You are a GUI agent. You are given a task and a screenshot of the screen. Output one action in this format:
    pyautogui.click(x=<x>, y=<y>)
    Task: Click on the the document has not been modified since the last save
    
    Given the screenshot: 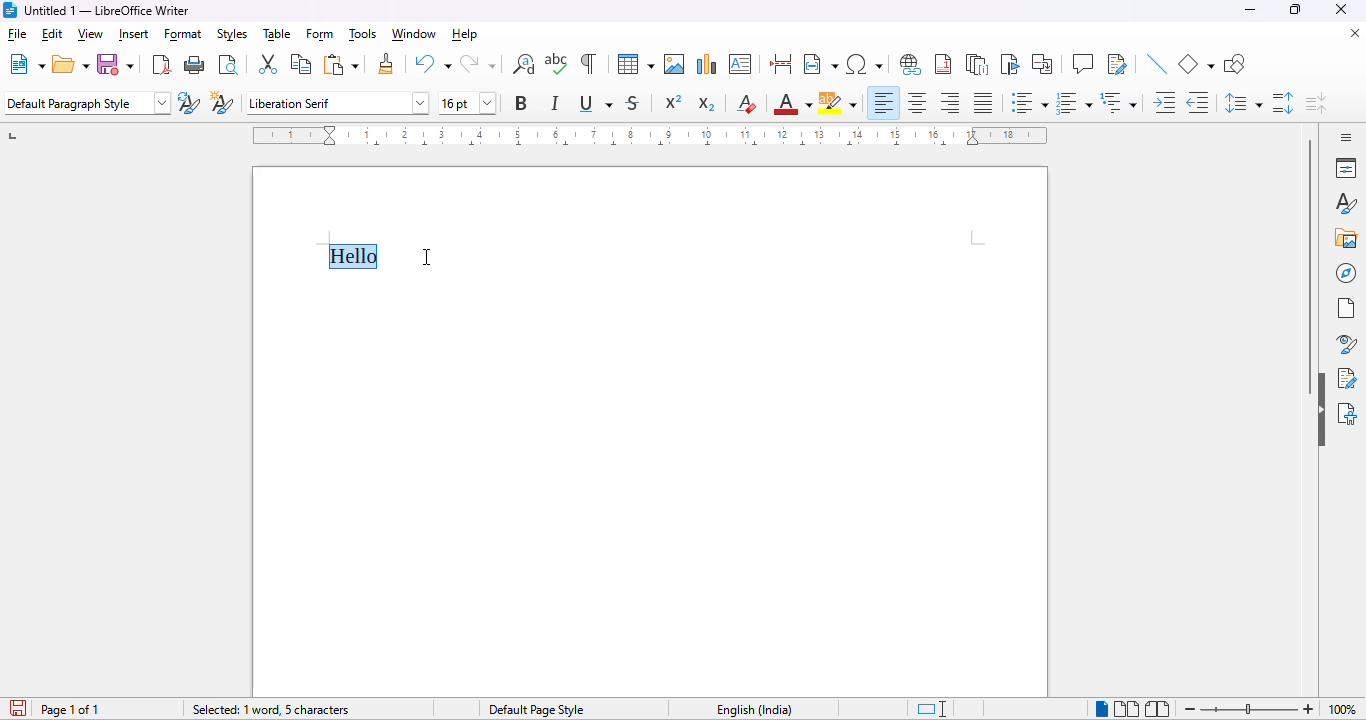 What is the action you would take?
    pyautogui.click(x=16, y=708)
    